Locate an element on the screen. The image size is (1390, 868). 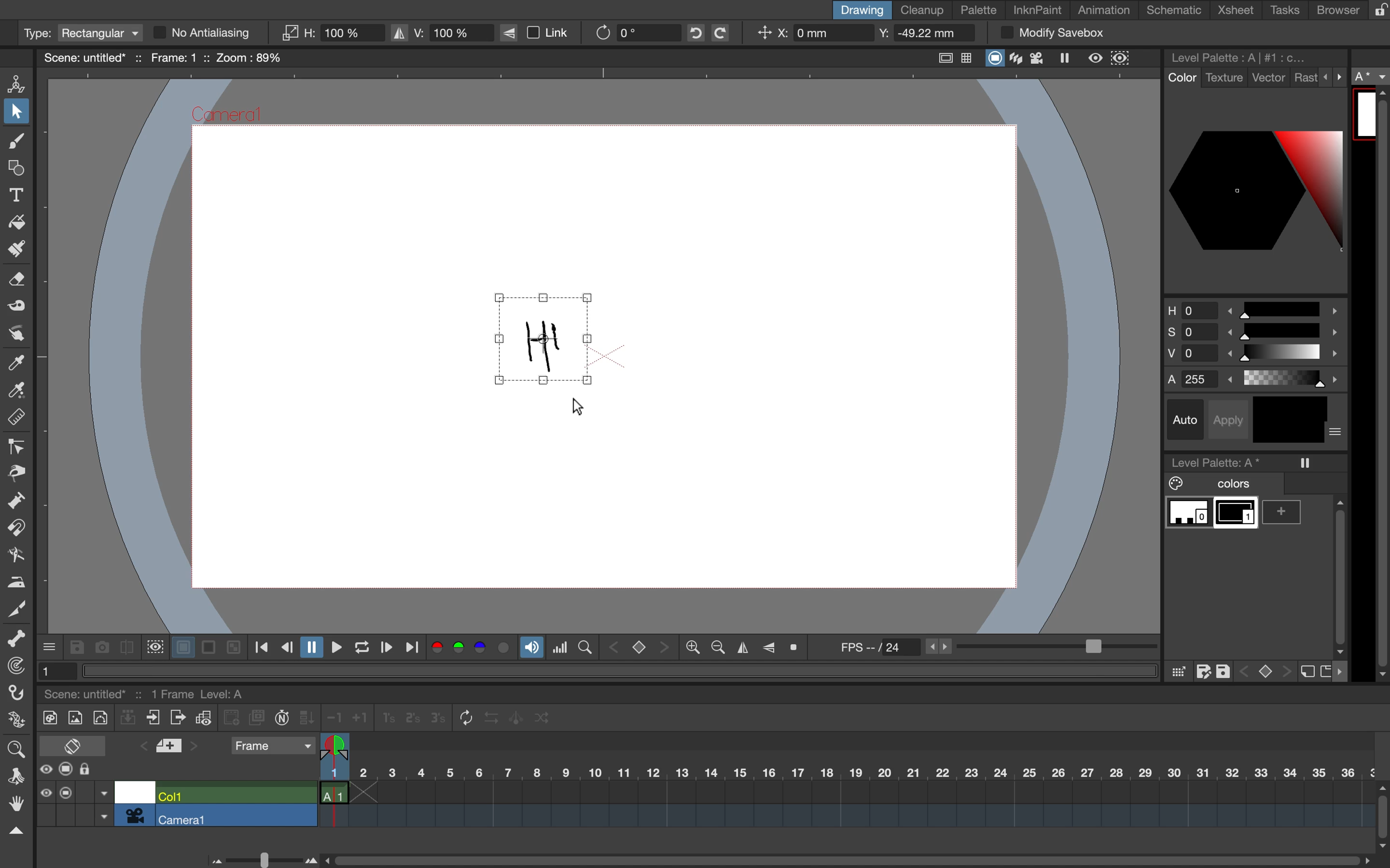
hook tool is located at coordinates (18, 695).